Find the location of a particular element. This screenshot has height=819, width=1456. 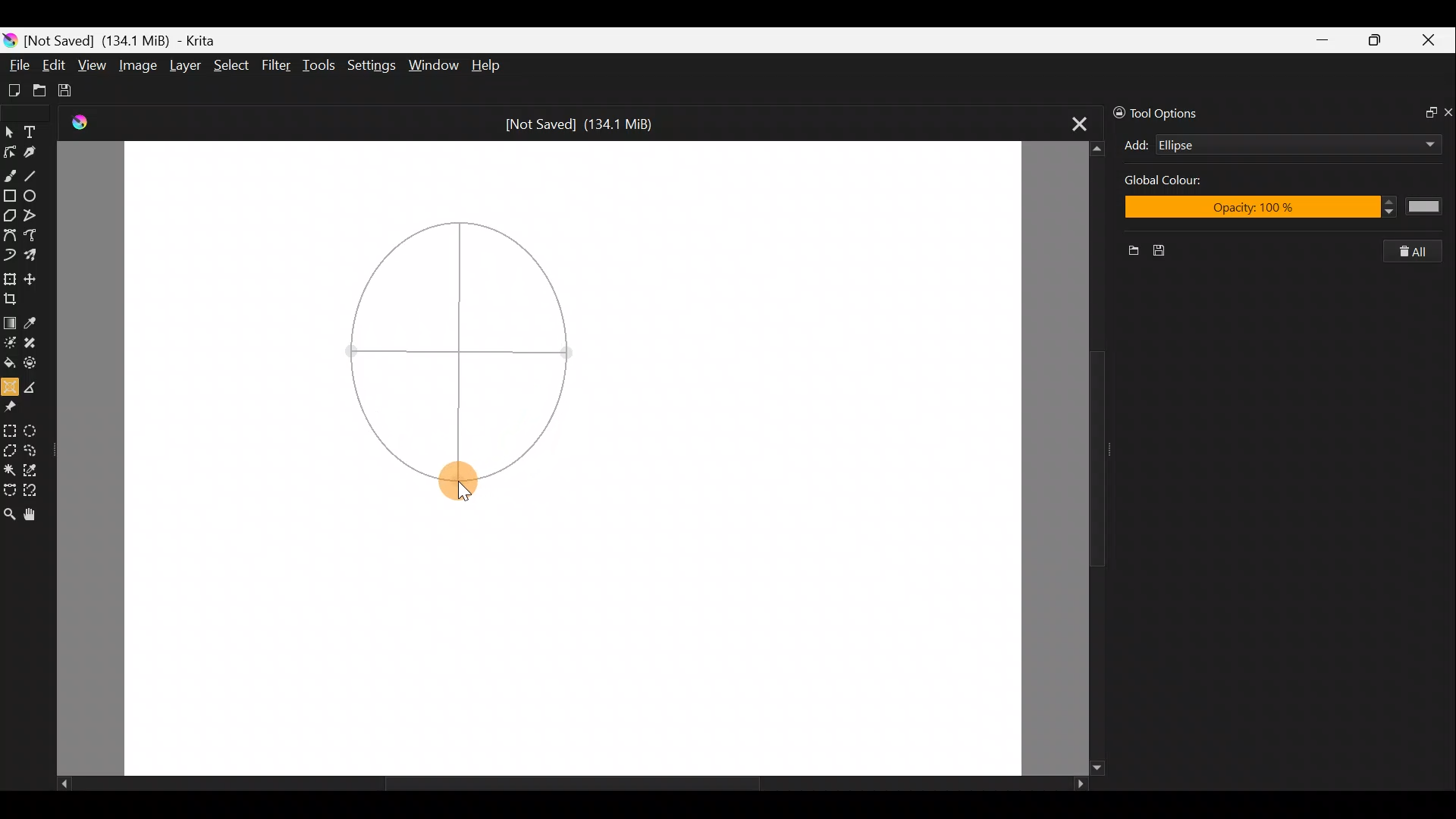

Dynamic brush tool is located at coordinates (9, 256).